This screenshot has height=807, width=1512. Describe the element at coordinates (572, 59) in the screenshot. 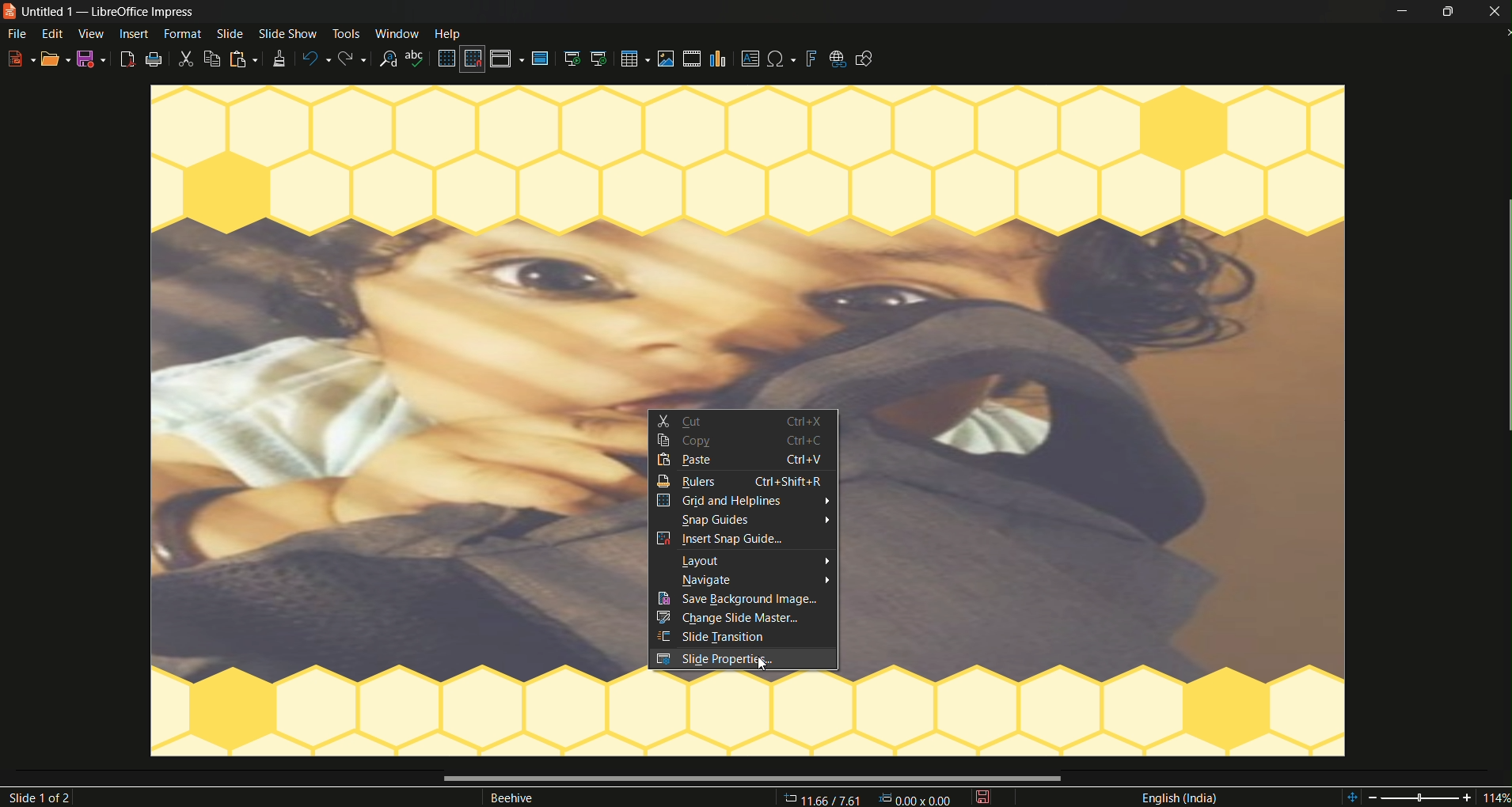

I see `start from the first slide` at that location.